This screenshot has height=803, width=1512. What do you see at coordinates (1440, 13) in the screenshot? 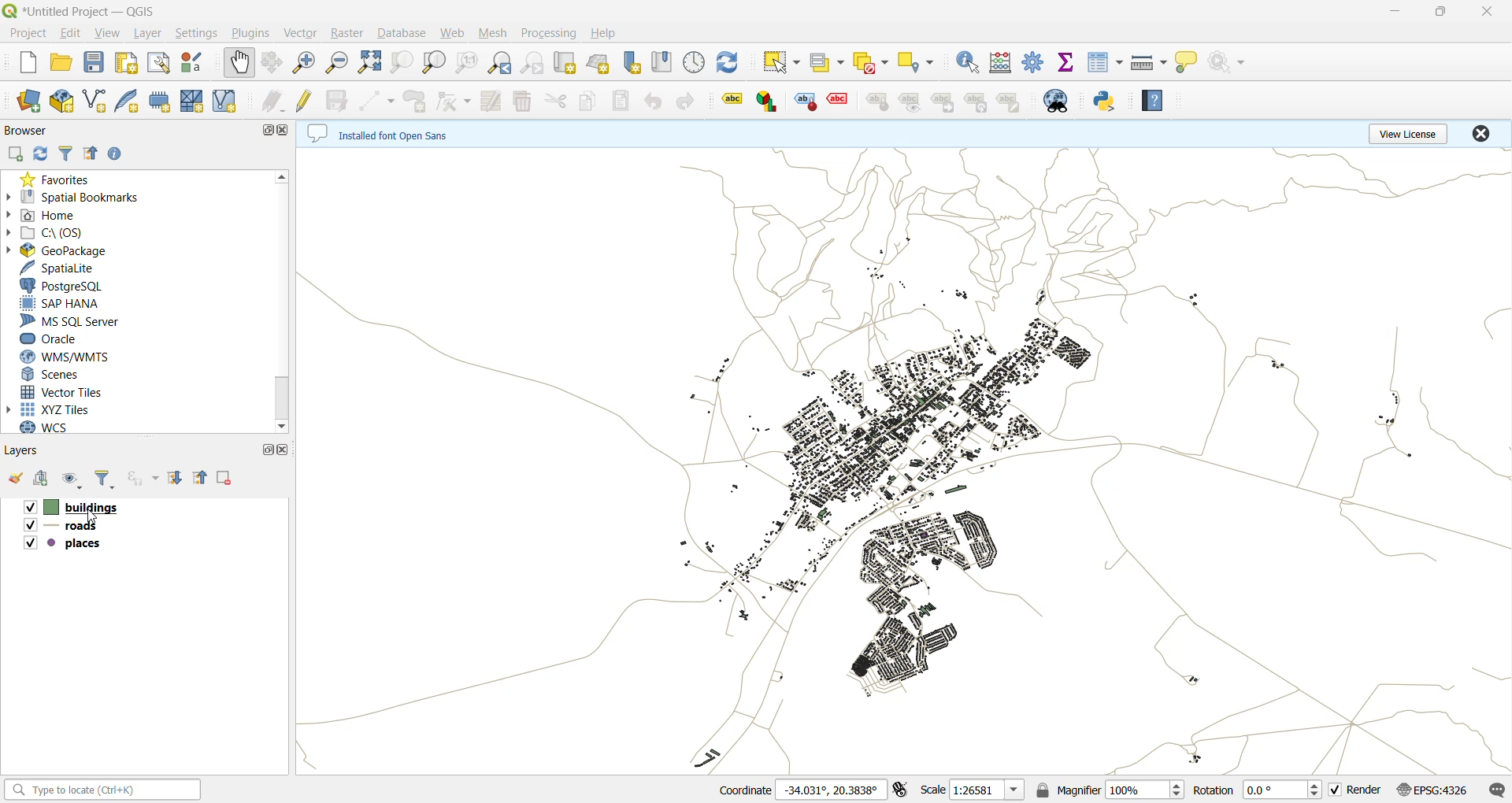
I see `maximize` at bounding box center [1440, 13].